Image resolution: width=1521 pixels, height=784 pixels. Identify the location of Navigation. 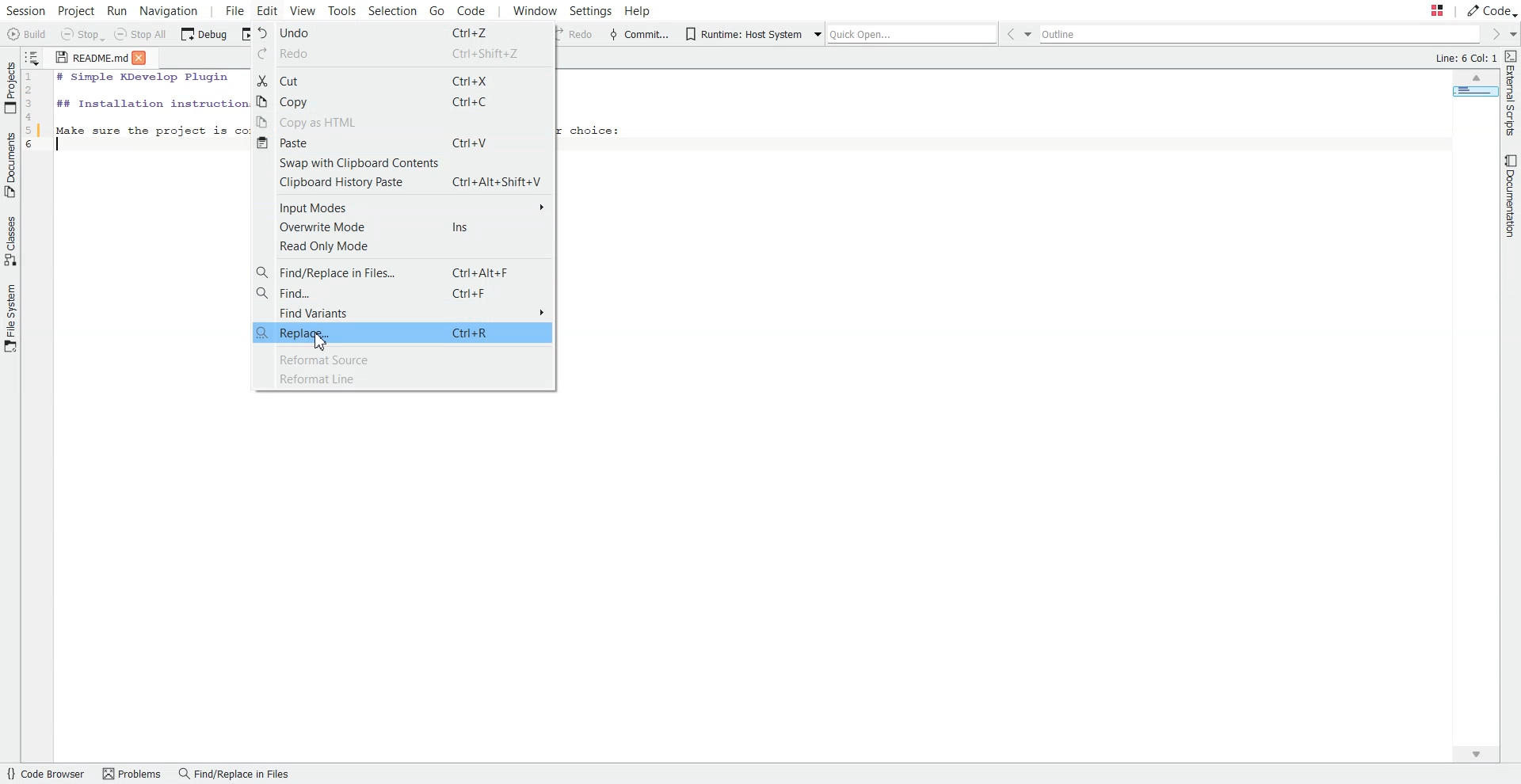
(170, 10).